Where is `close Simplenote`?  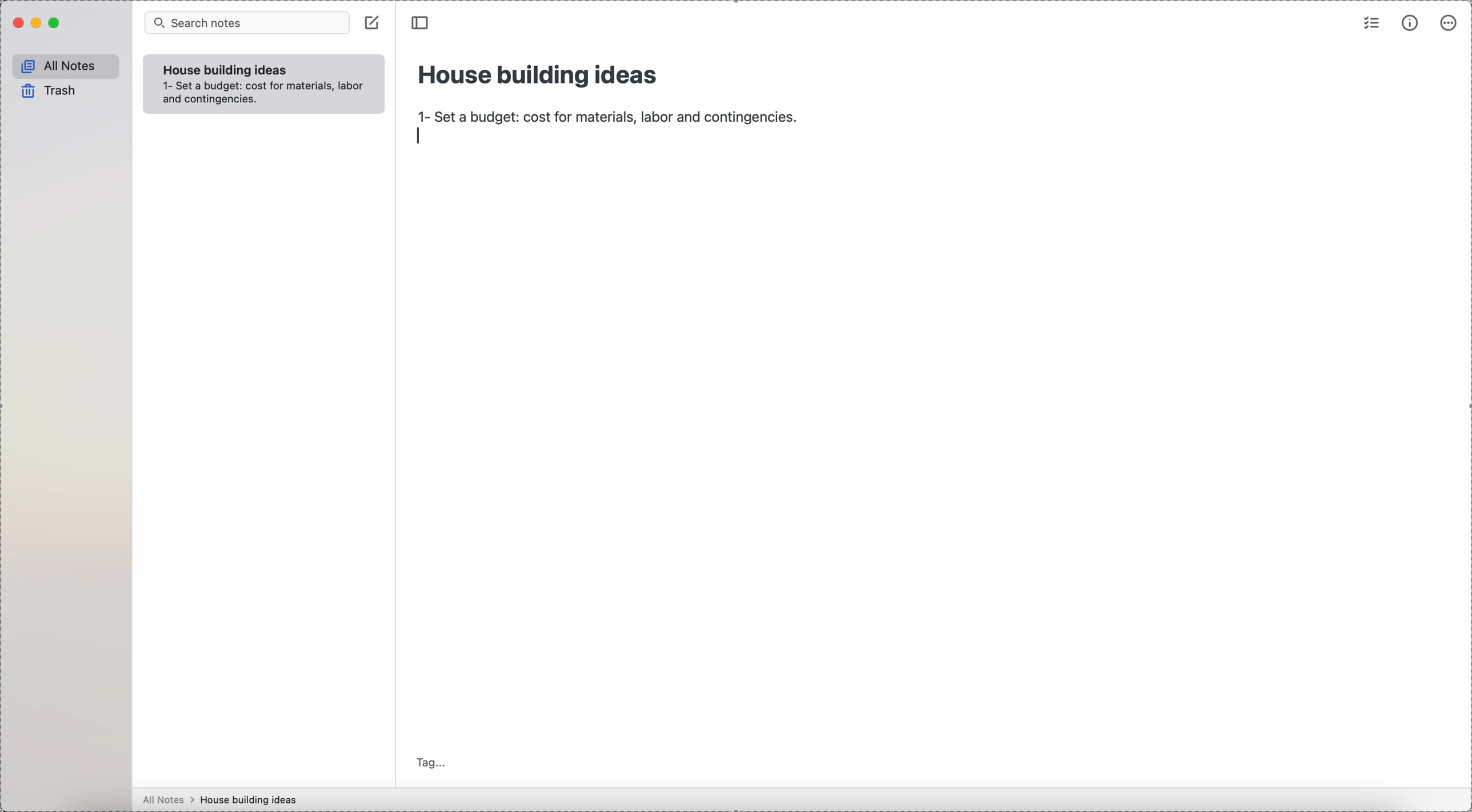
close Simplenote is located at coordinates (18, 23).